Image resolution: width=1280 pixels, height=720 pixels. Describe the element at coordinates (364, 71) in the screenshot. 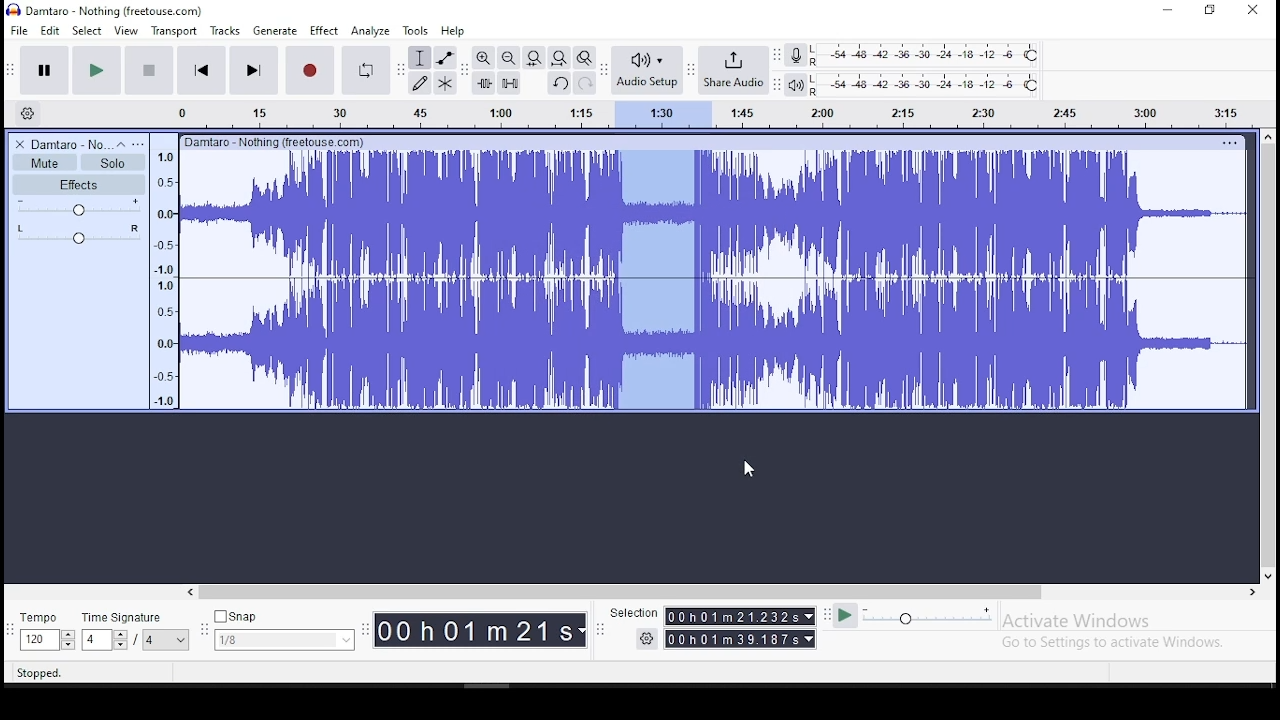

I see `enable looping` at that location.